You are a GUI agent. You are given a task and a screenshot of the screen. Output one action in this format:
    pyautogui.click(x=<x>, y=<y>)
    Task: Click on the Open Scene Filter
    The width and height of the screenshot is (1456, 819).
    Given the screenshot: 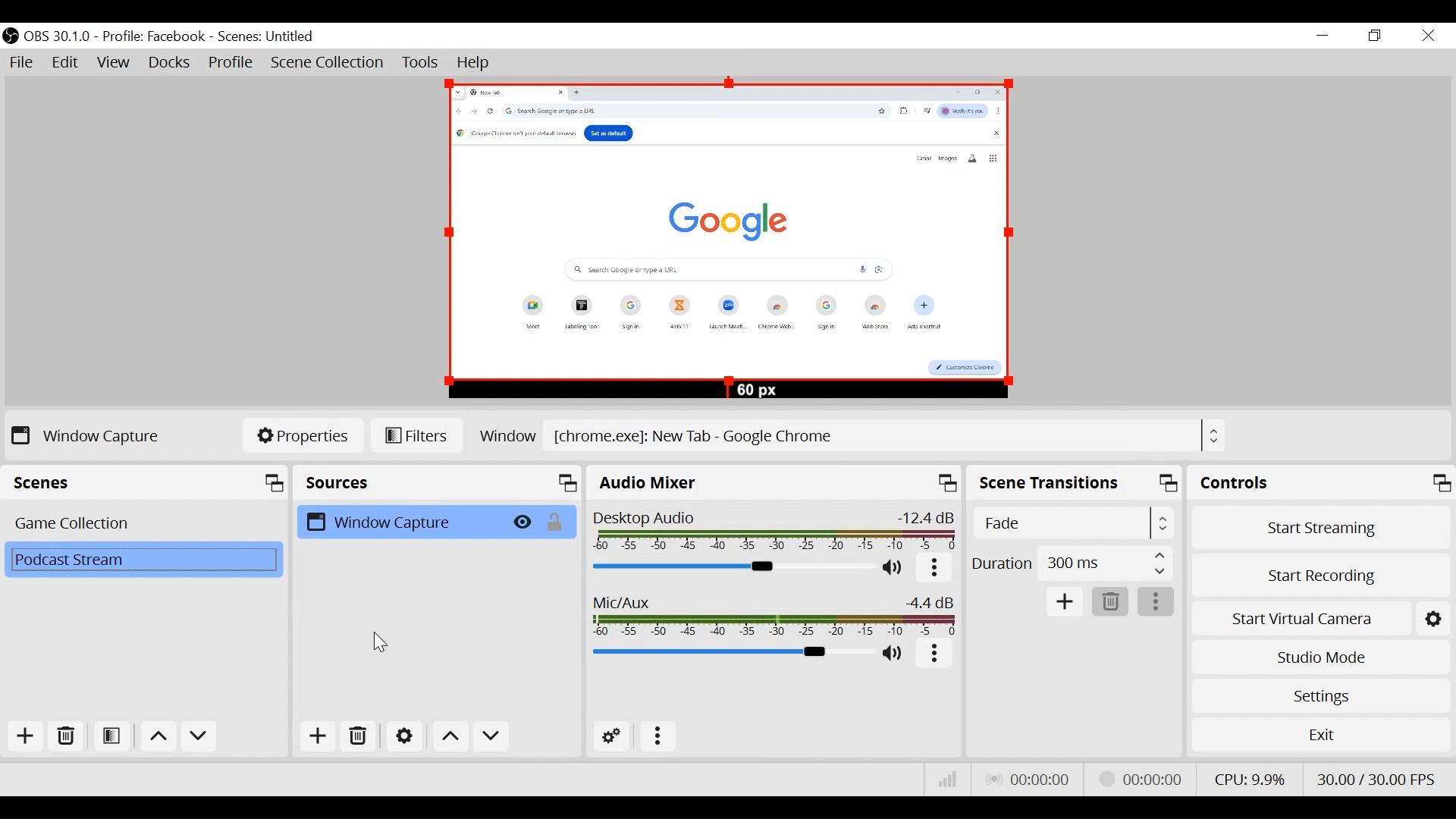 What is the action you would take?
    pyautogui.click(x=111, y=736)
    